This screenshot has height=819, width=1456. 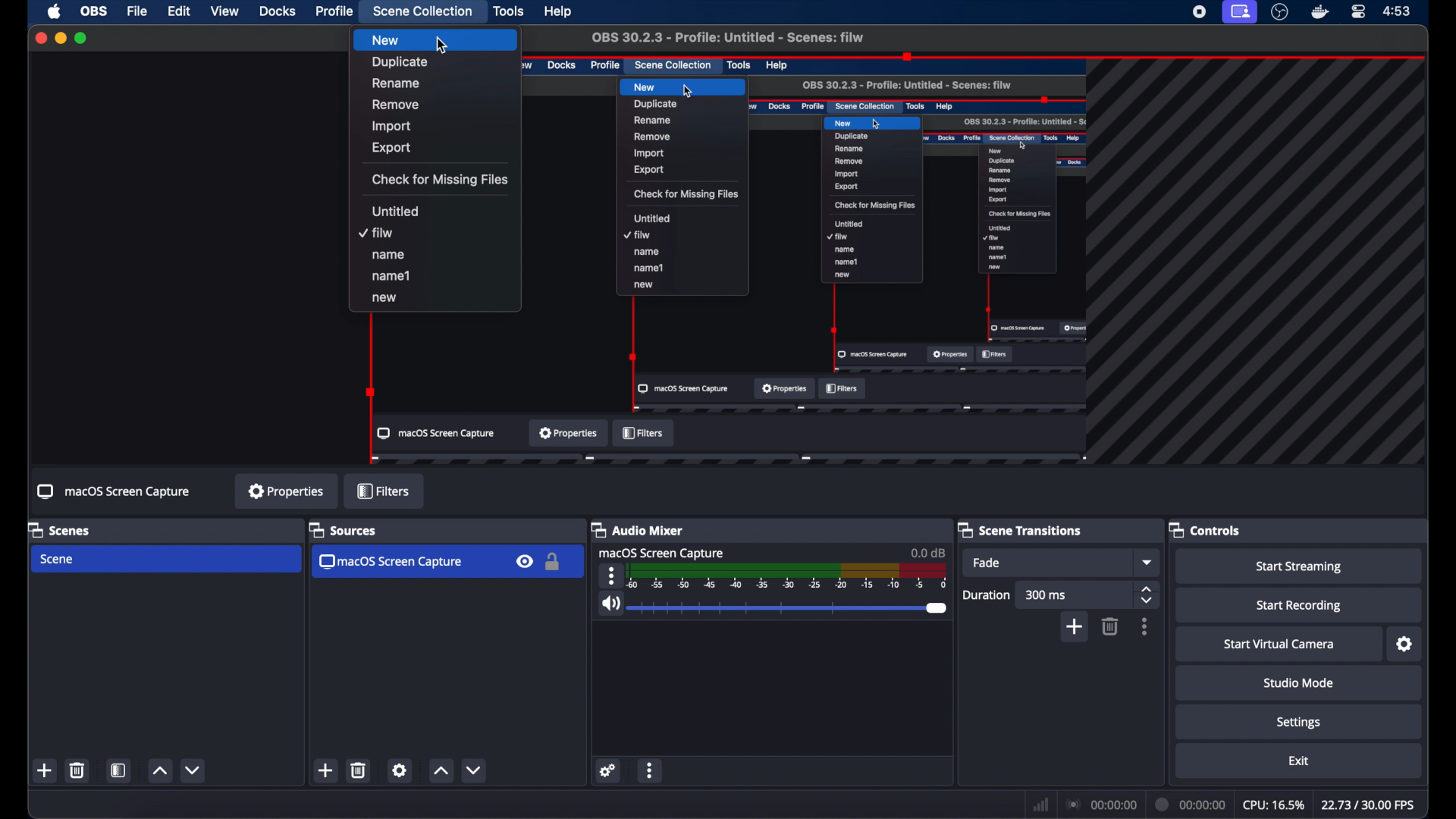 What do you see at coordinates (397, 105) in the screenshot?
I see `remove` at bounding box center [397, 105].